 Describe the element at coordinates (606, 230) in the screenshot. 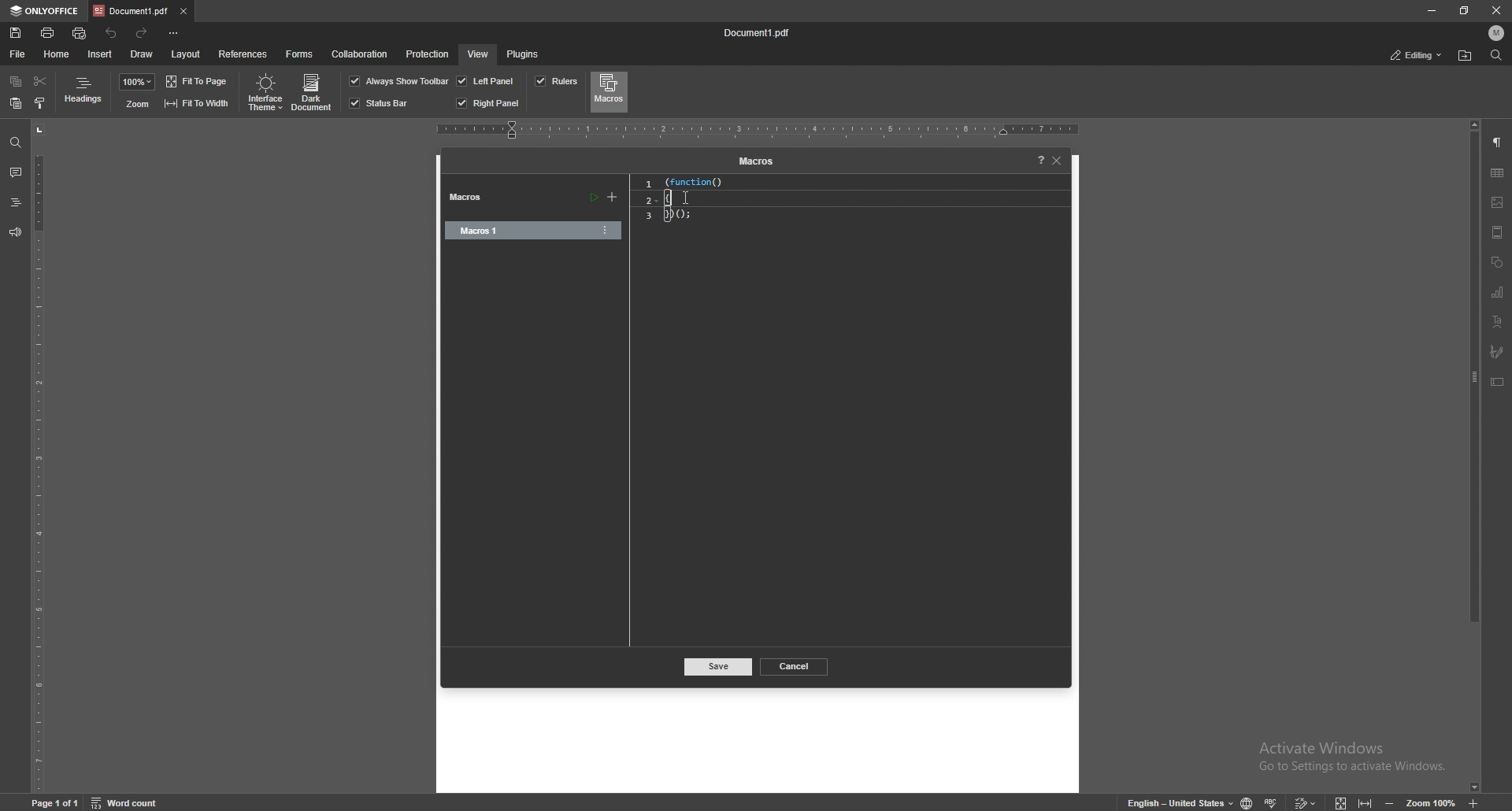

I see `options` at that location.